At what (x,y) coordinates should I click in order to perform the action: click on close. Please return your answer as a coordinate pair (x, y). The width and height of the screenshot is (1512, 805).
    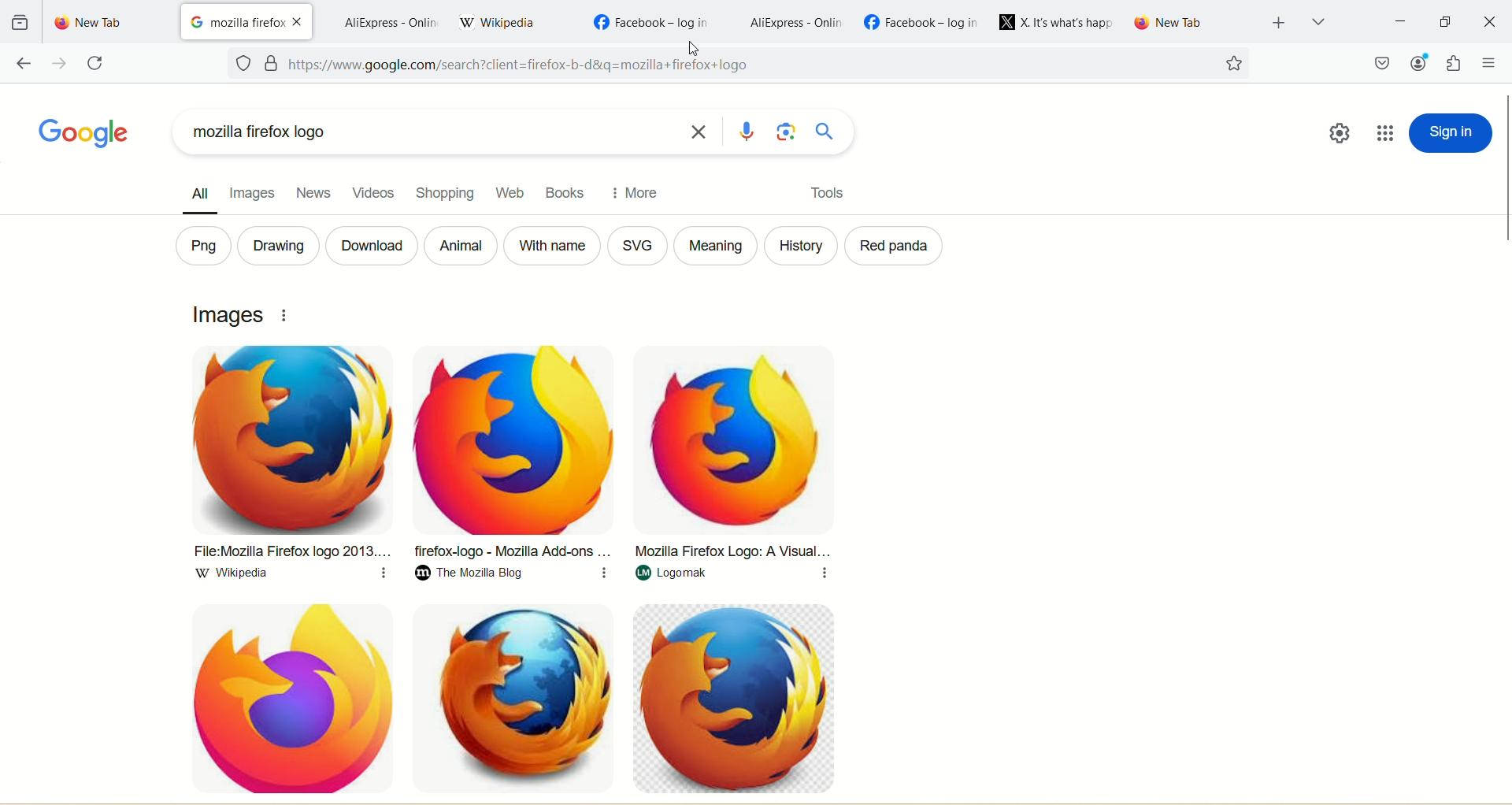
    Looking at the image, I should click on (1489, 20).